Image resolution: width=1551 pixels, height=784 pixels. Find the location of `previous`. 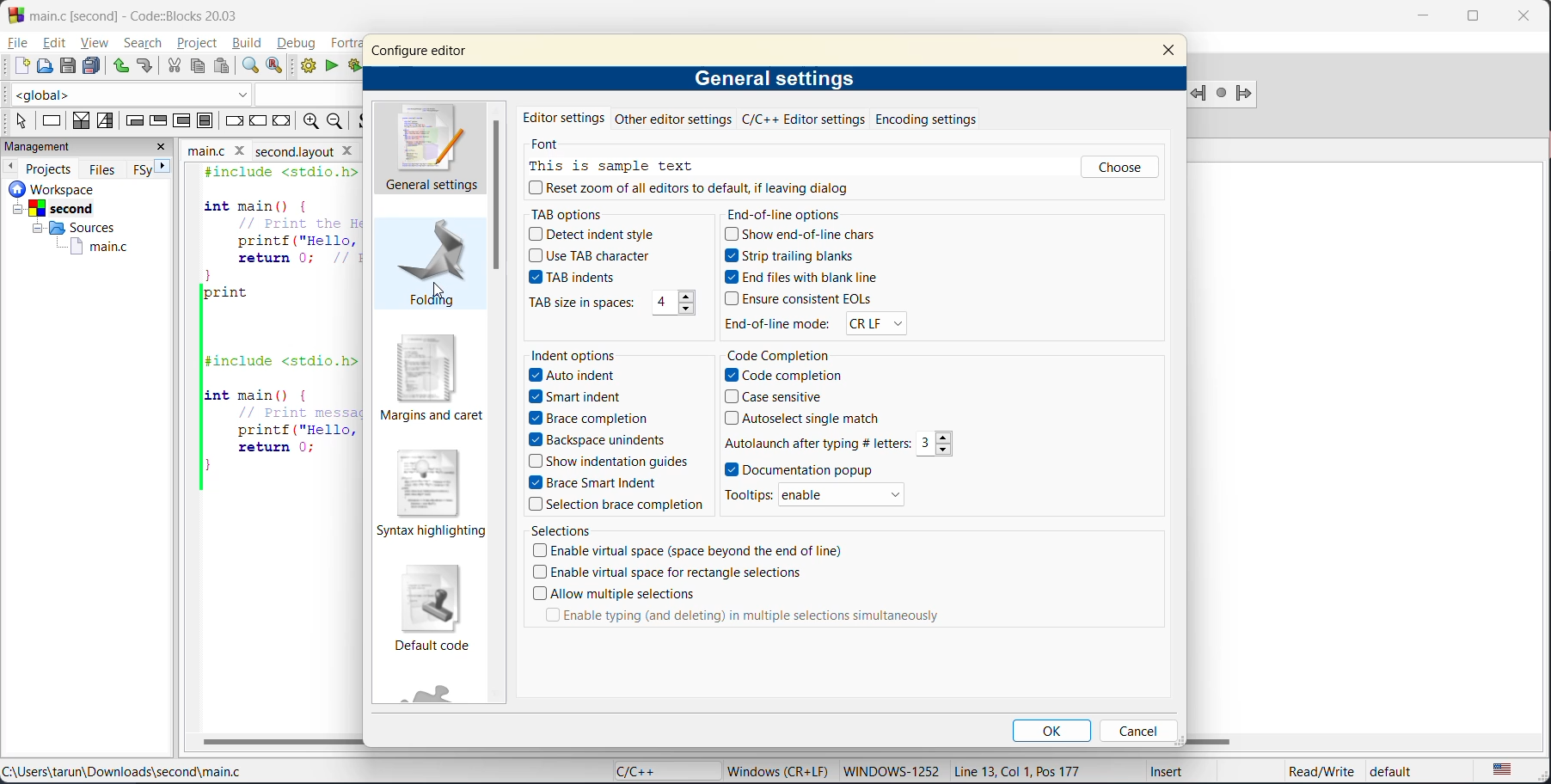

previous is located at coordinates (10, 166).